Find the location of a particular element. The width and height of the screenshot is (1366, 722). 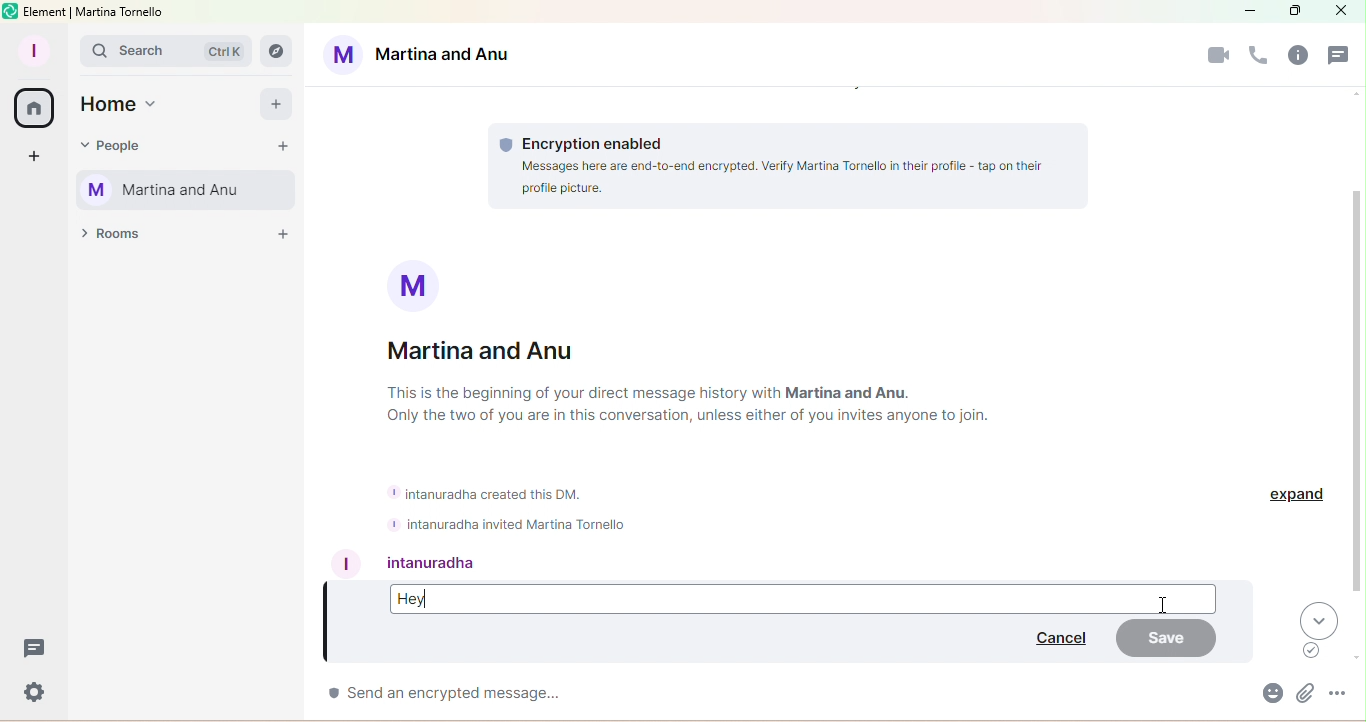

Write message is located at coordinates (803, 597).